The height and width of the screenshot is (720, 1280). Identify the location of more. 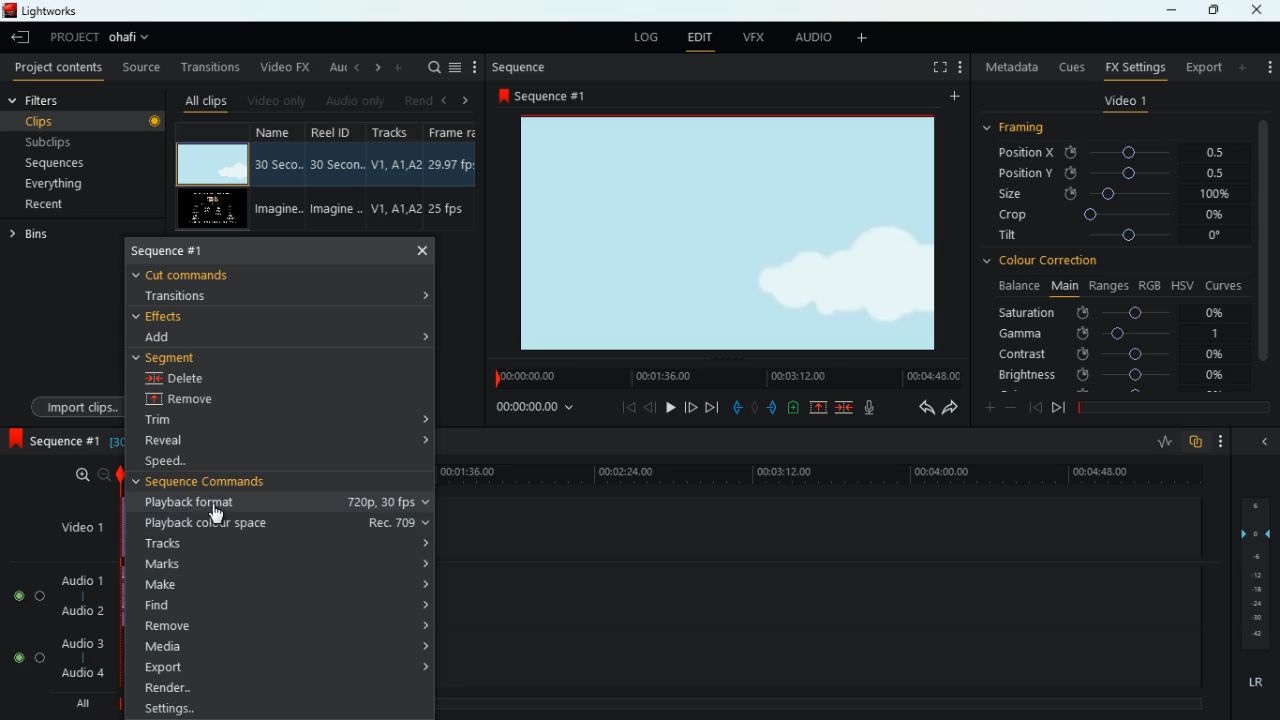
(477, 67).